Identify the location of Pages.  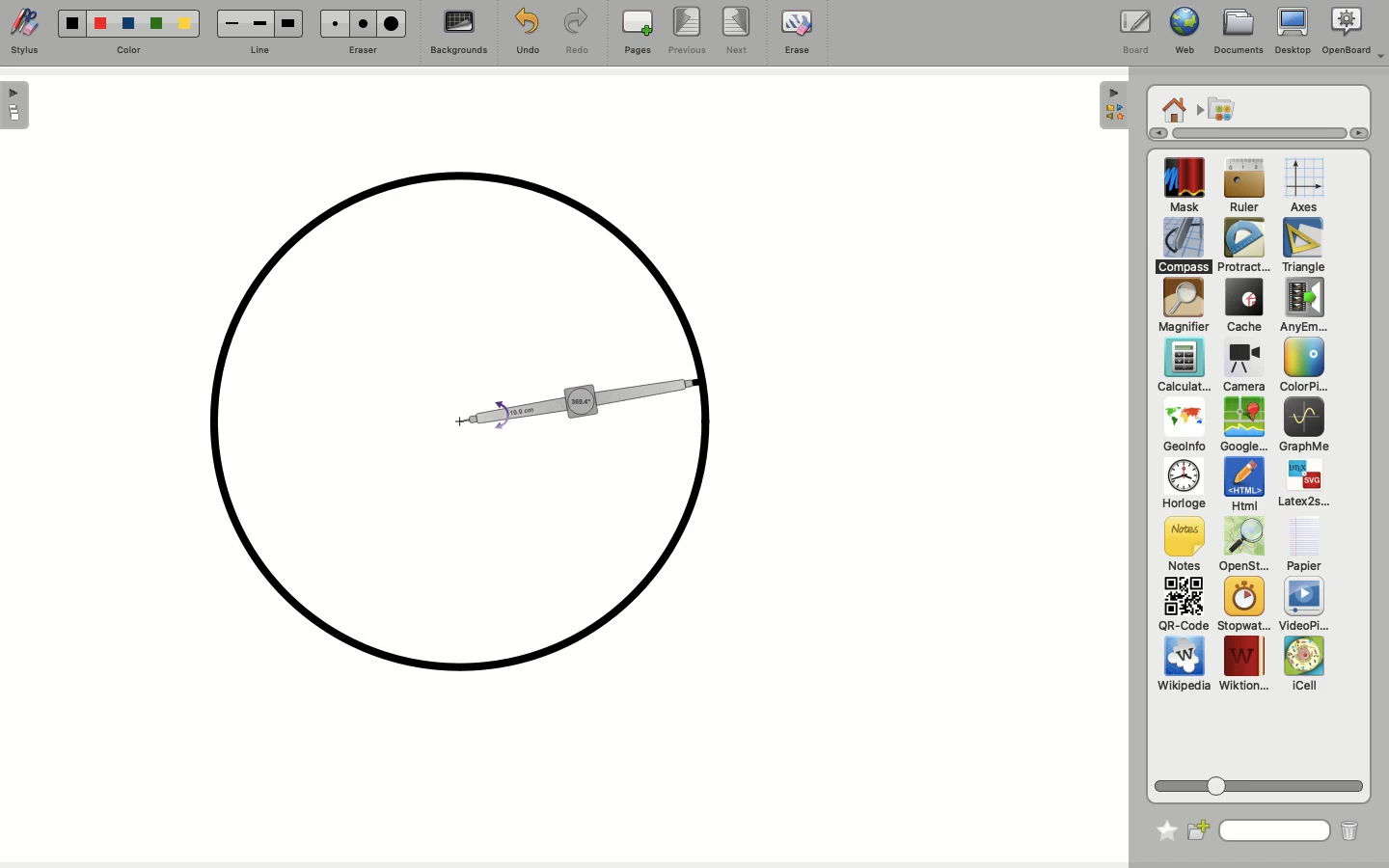
(638, 34).